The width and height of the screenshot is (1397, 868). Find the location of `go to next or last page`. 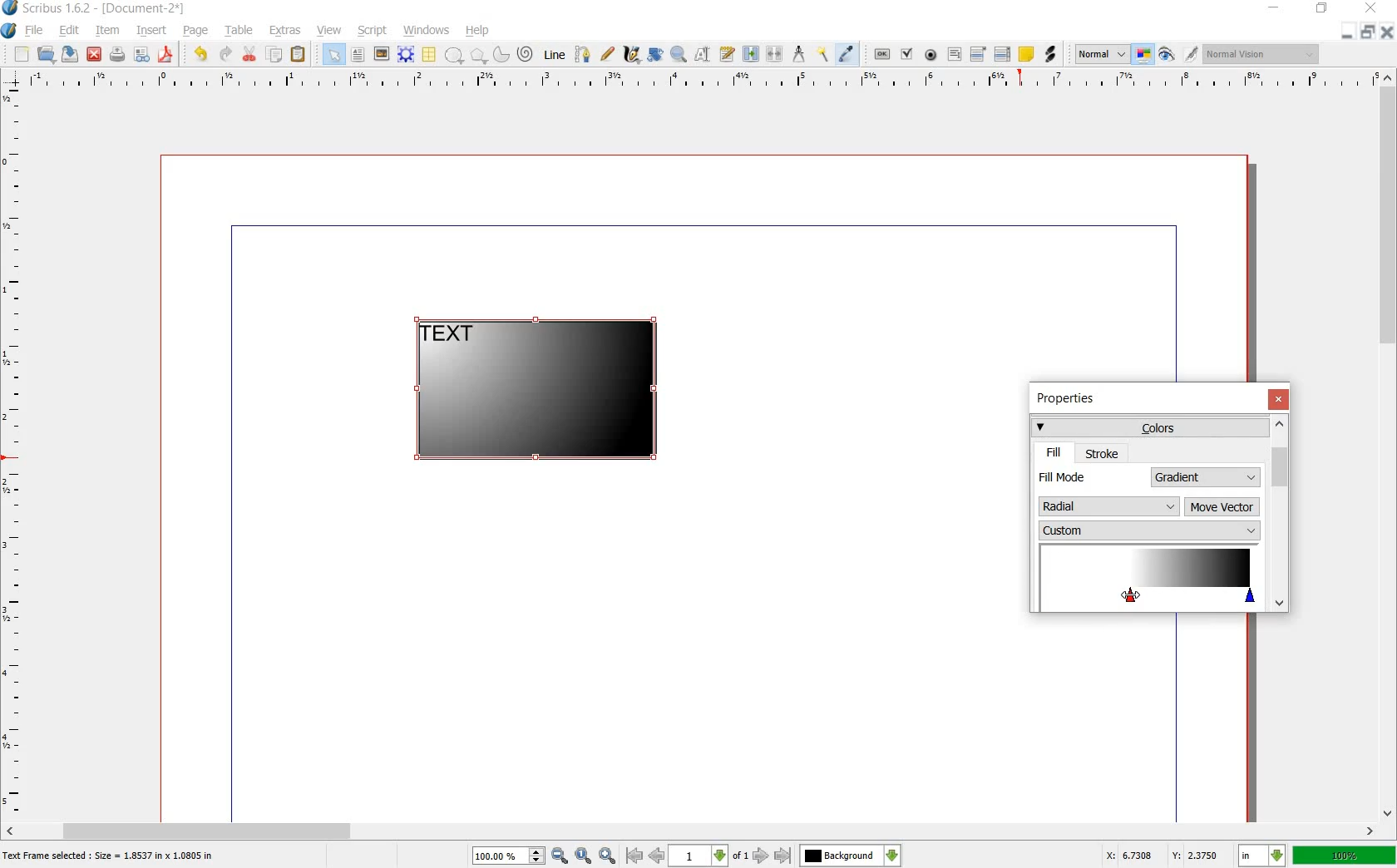

go to next or last page is located at coordinates (771, 856).